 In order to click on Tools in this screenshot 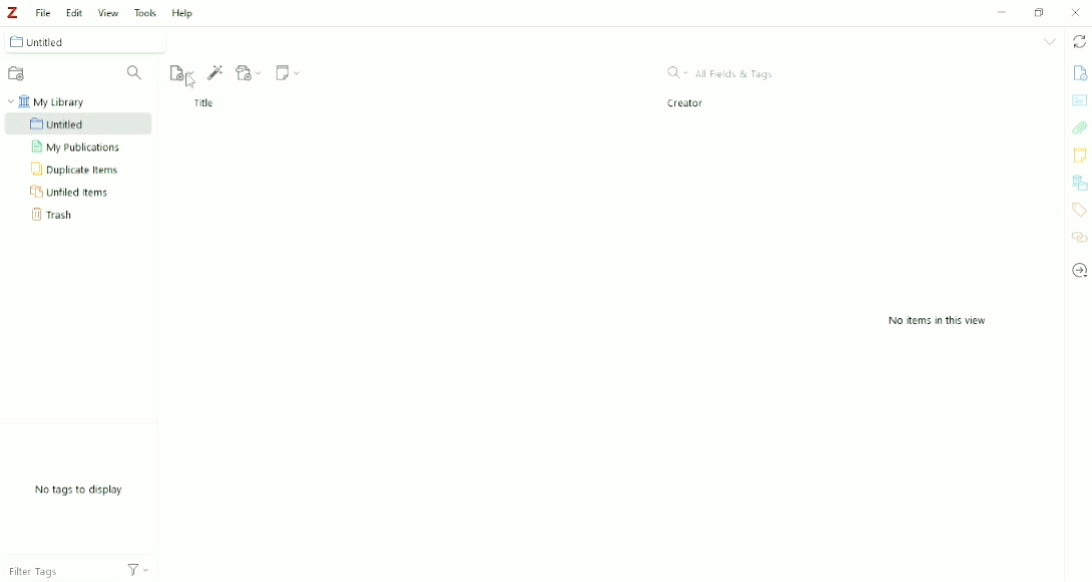, I will do `click(144, 11)`.